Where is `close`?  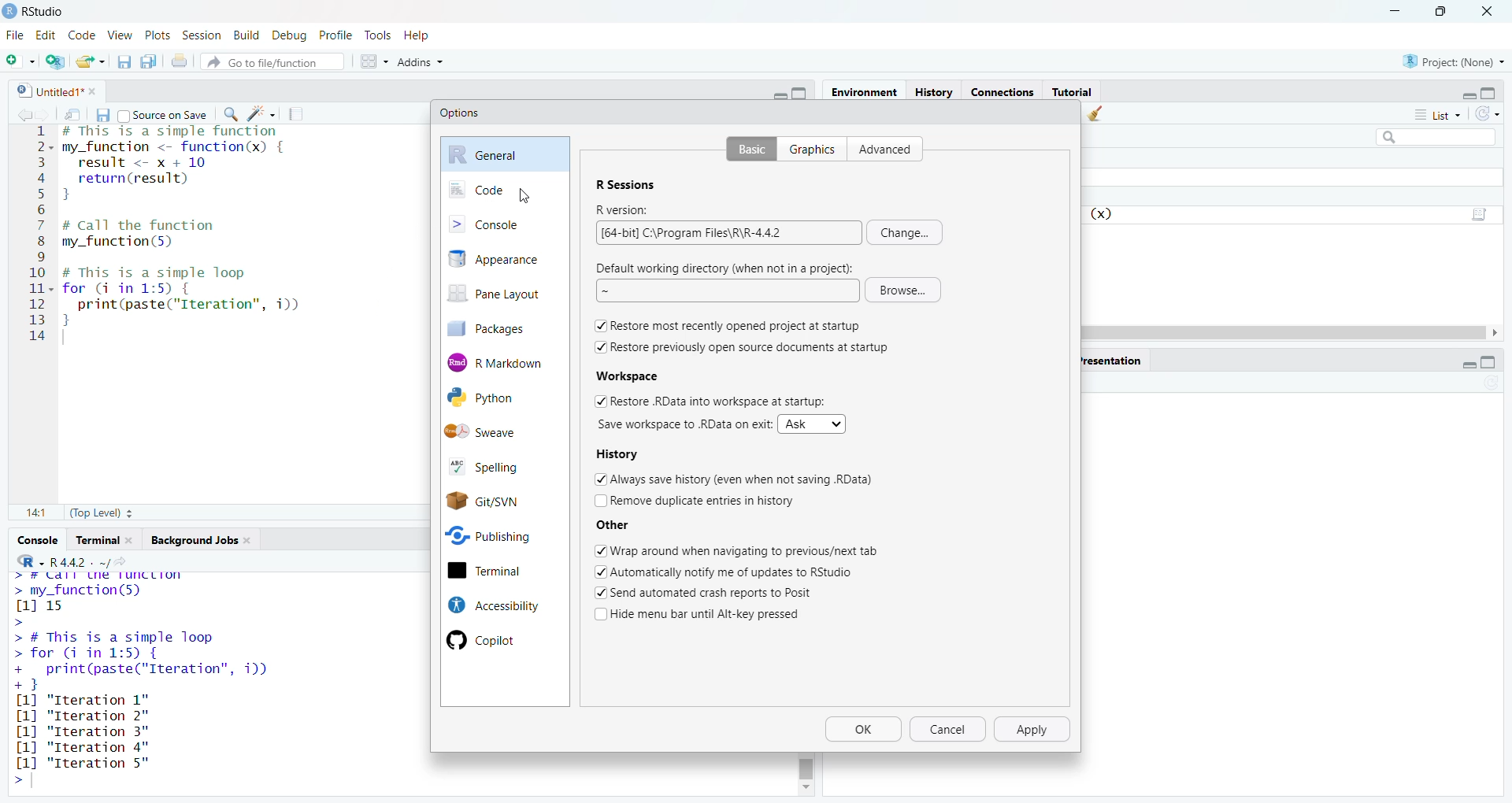 close is located at coordinates (253, 542).